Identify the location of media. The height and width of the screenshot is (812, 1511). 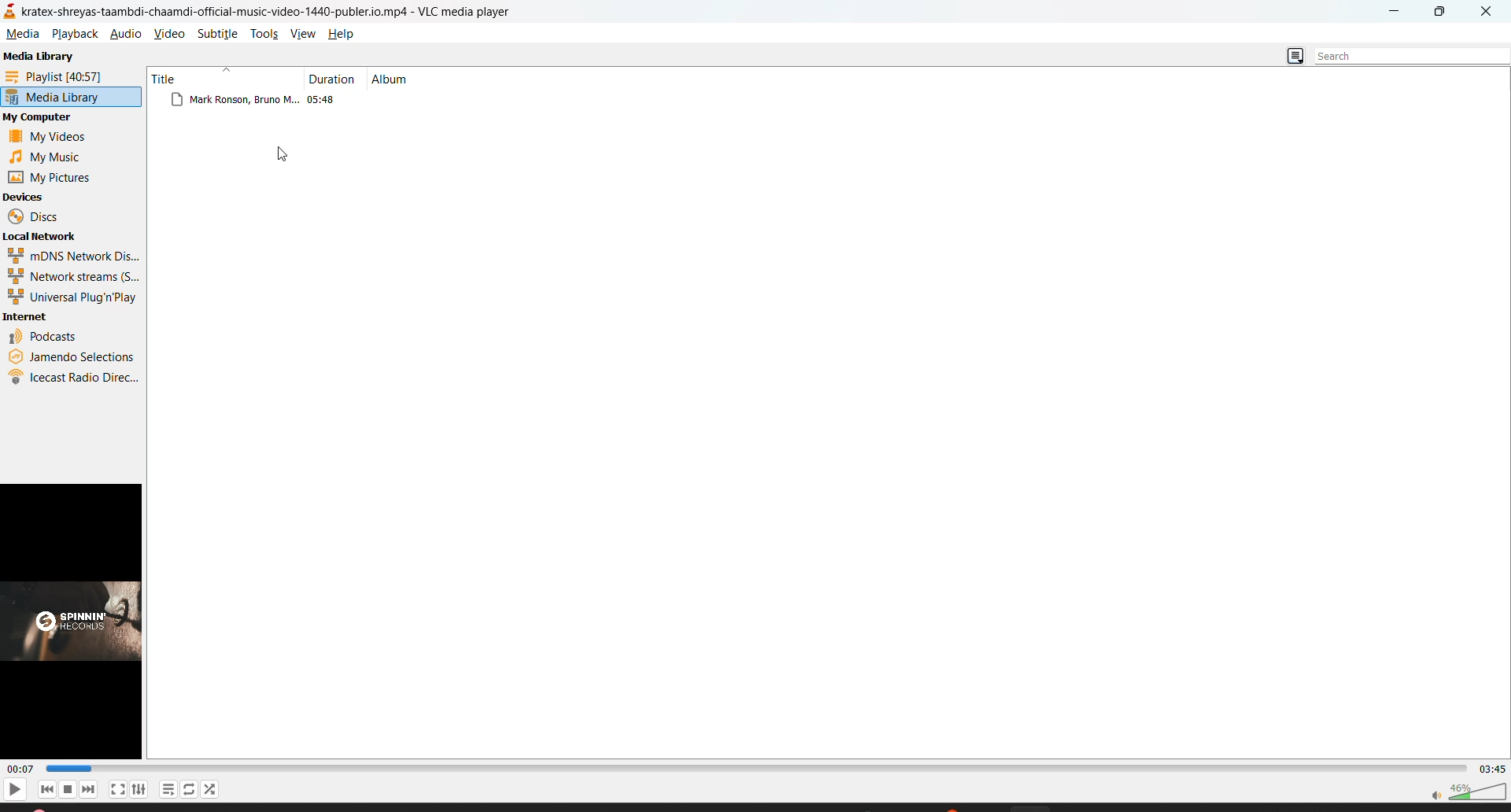
(21, 35).